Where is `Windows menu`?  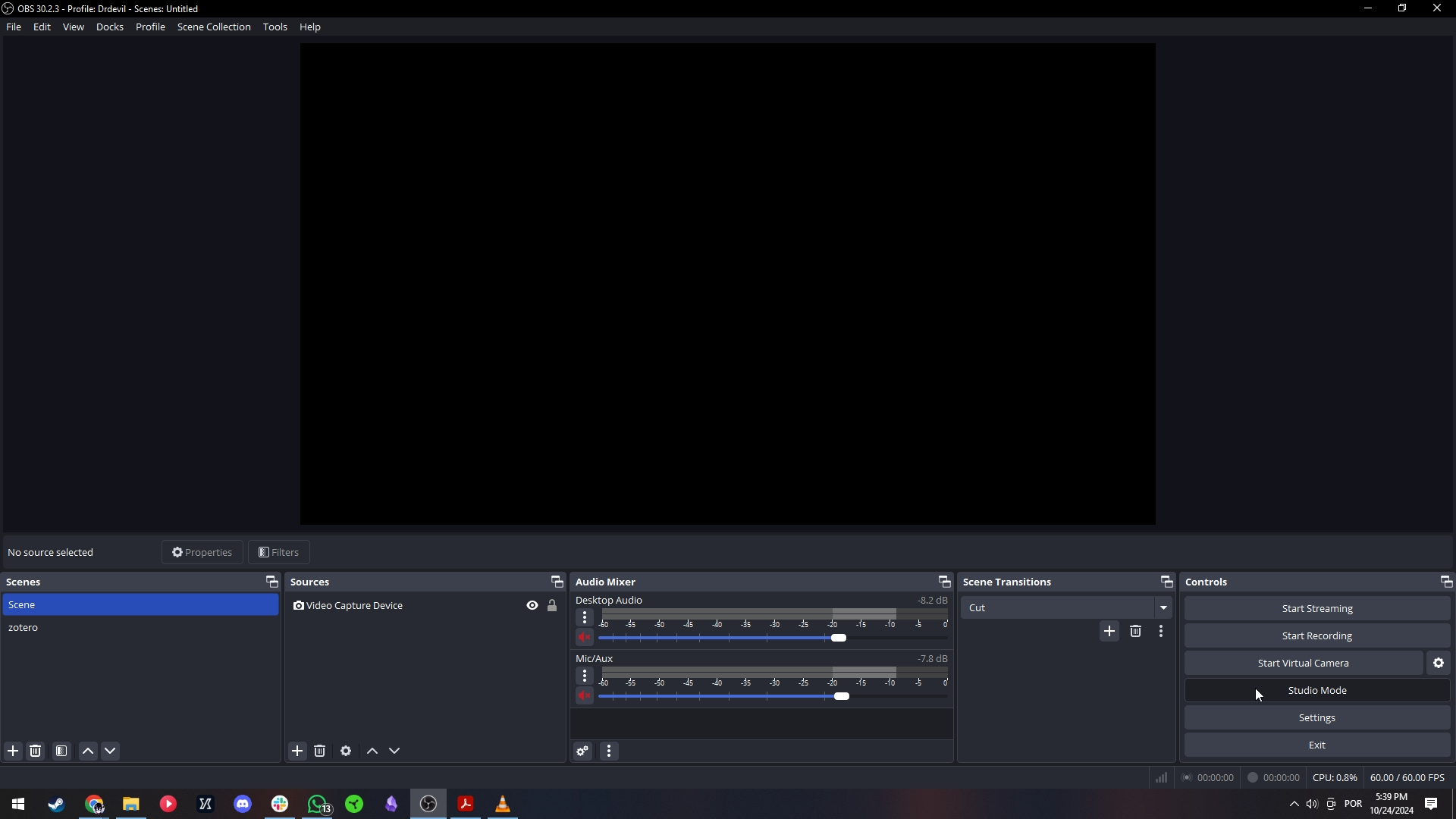 Windows menu is located at coordinates (17, 803).